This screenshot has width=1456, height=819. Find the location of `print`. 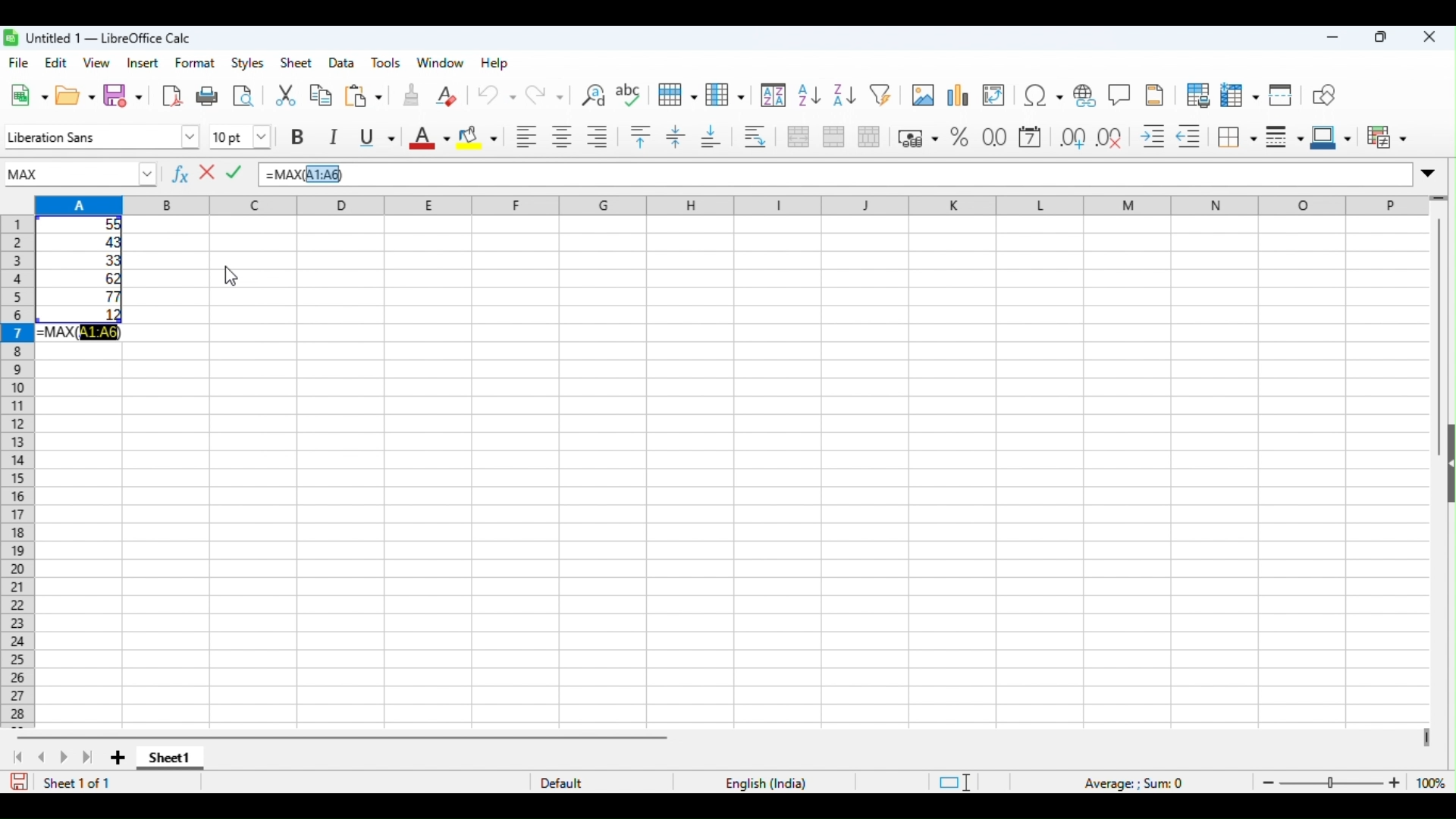

print is located at coordinates (208, 96).